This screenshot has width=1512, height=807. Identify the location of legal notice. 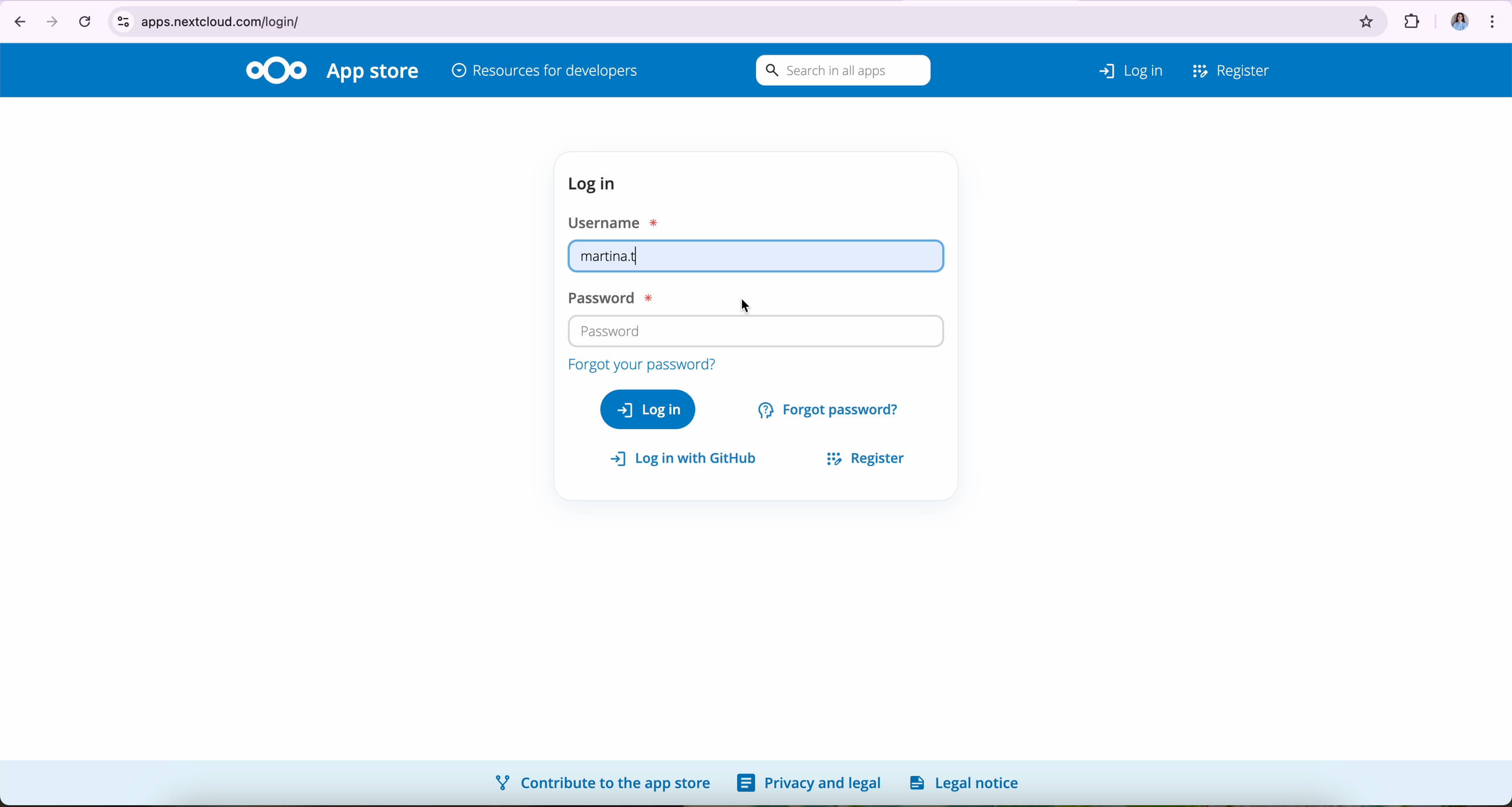
(968, 782).